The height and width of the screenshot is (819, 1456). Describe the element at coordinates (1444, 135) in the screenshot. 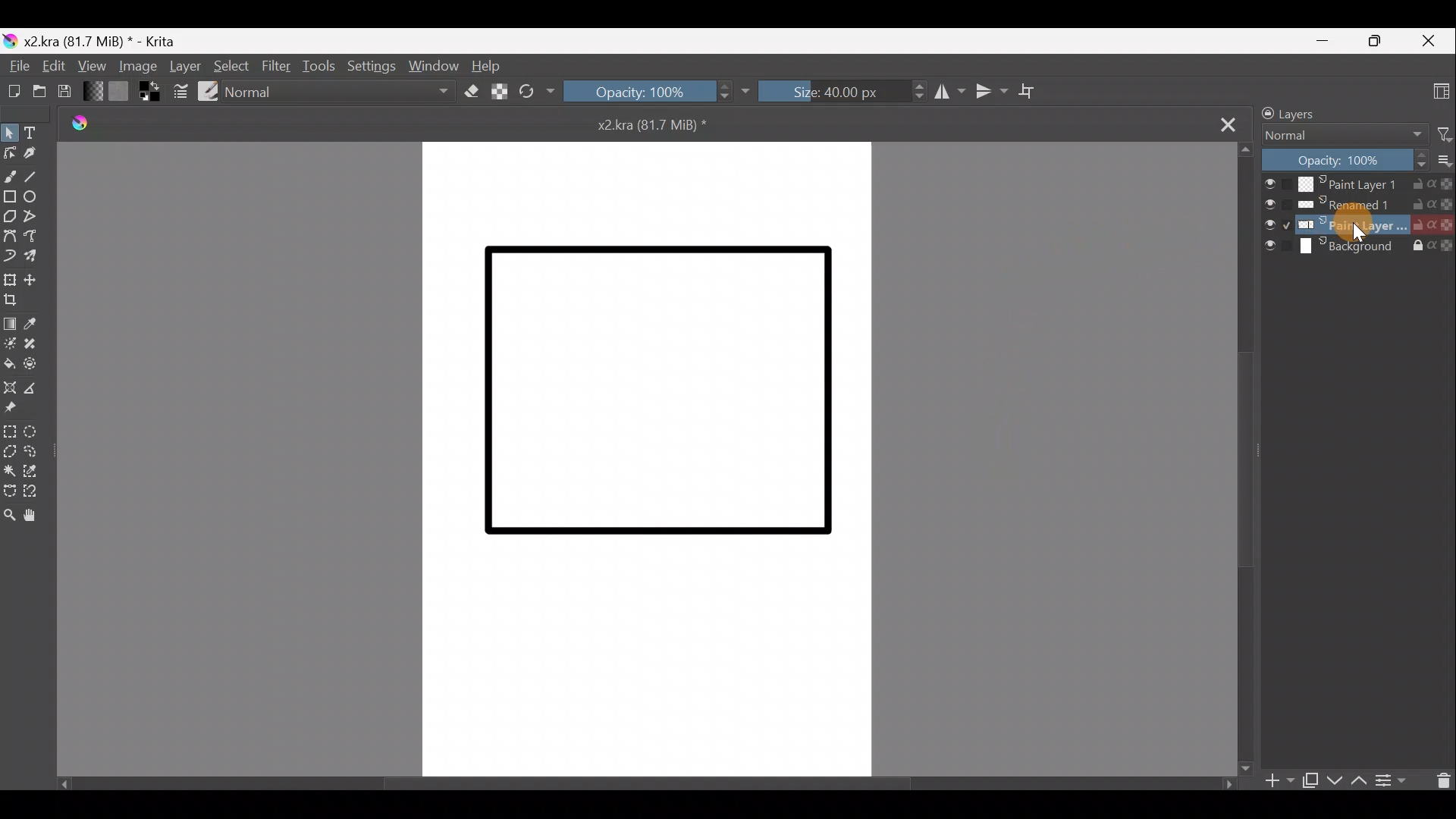

I see `Filter` at that location.